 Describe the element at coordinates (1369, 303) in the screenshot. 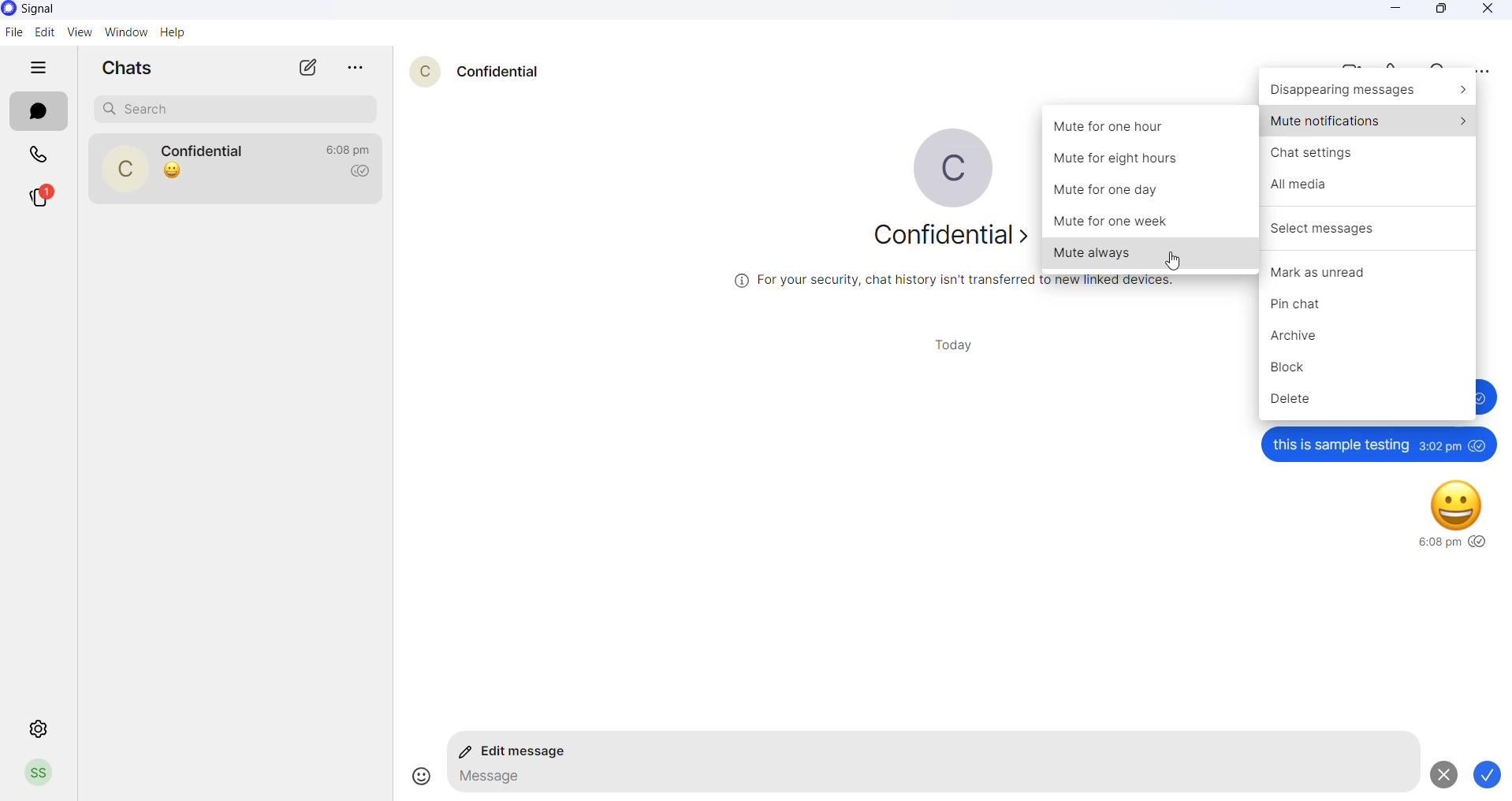

I see `pin chat` at that location.